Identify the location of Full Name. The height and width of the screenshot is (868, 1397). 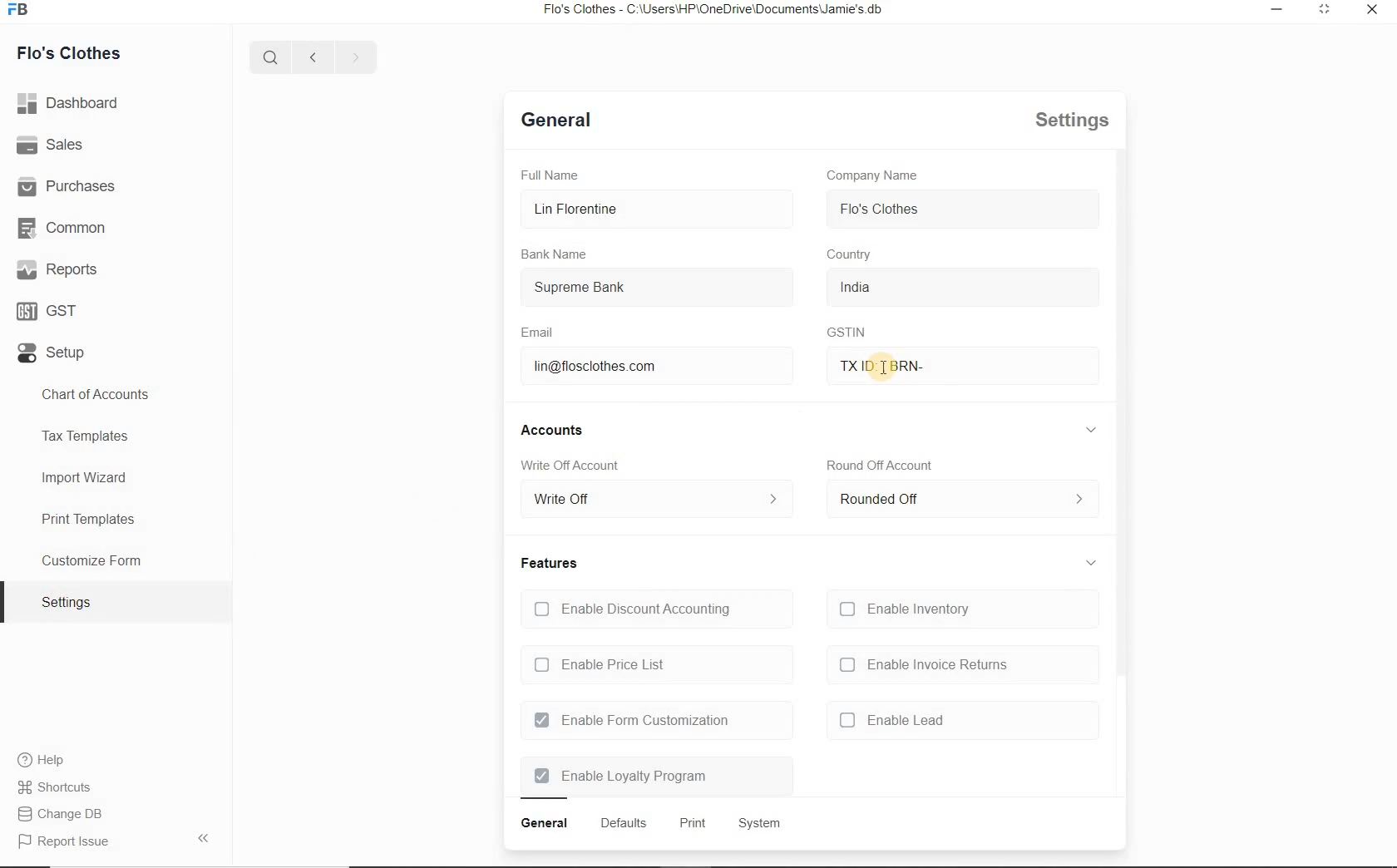
(555, 175).